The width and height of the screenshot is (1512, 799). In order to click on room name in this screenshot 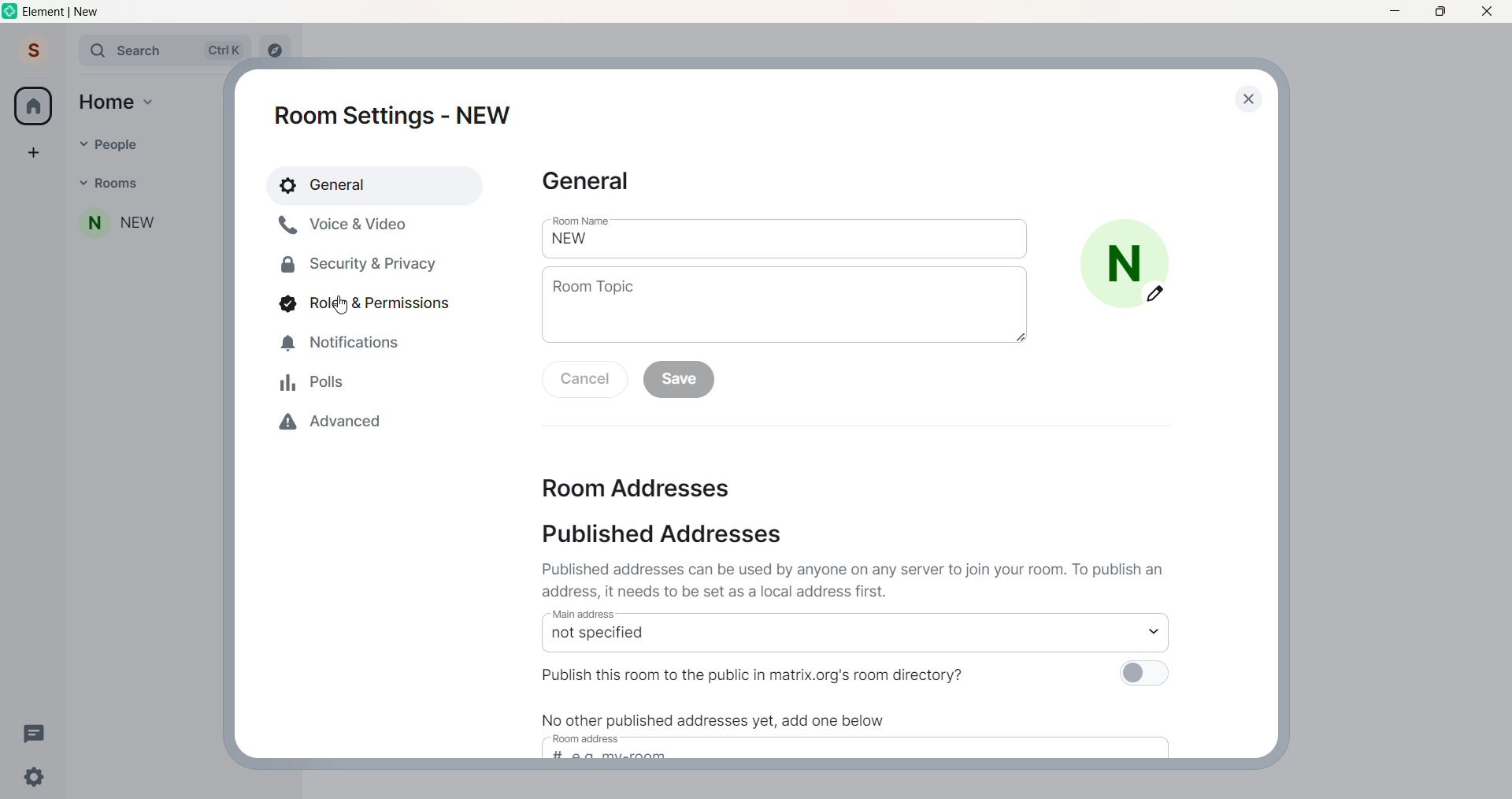, I will do `click(786, 237)`.